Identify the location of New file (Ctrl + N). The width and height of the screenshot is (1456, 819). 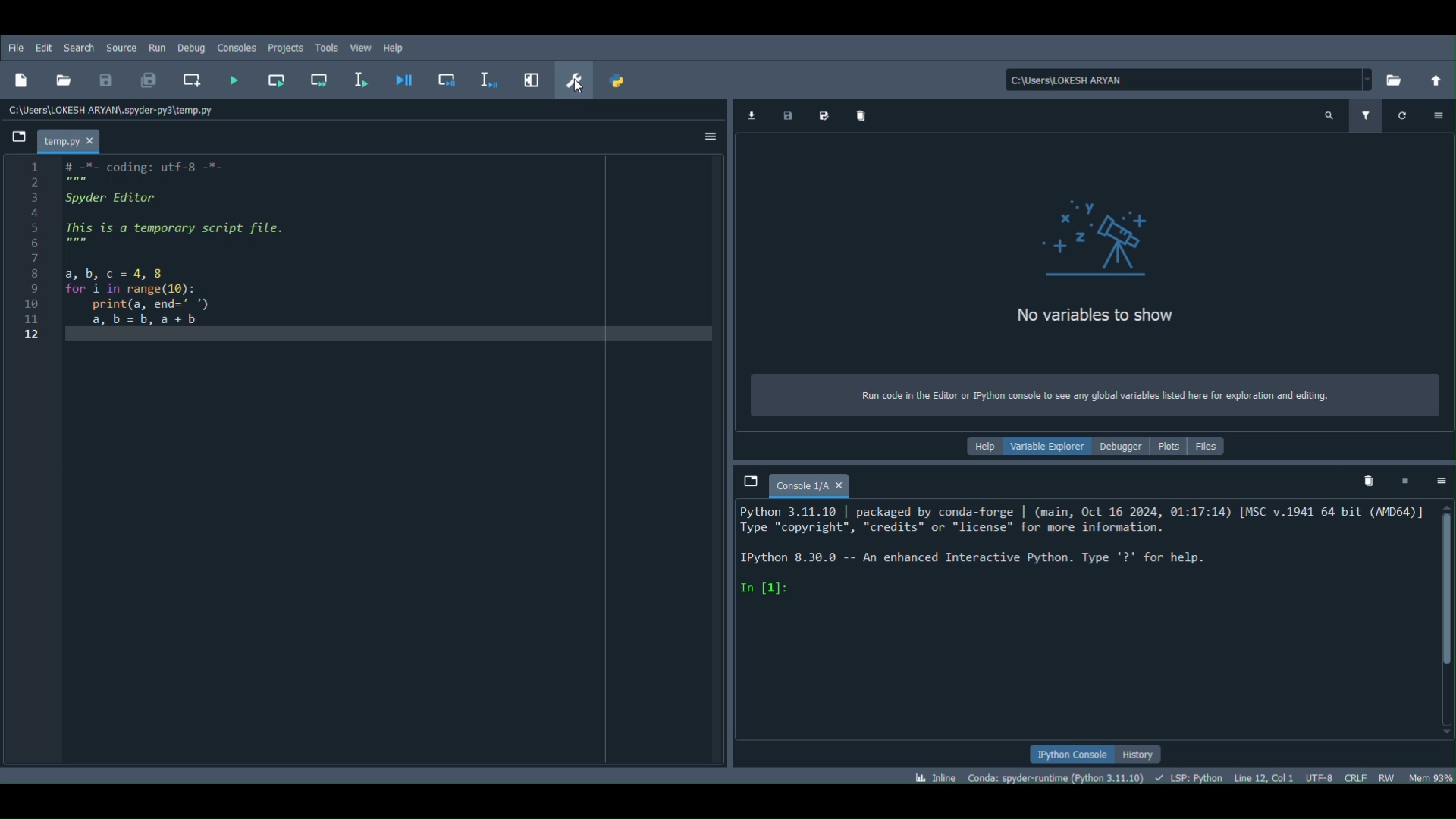
(26, 77).